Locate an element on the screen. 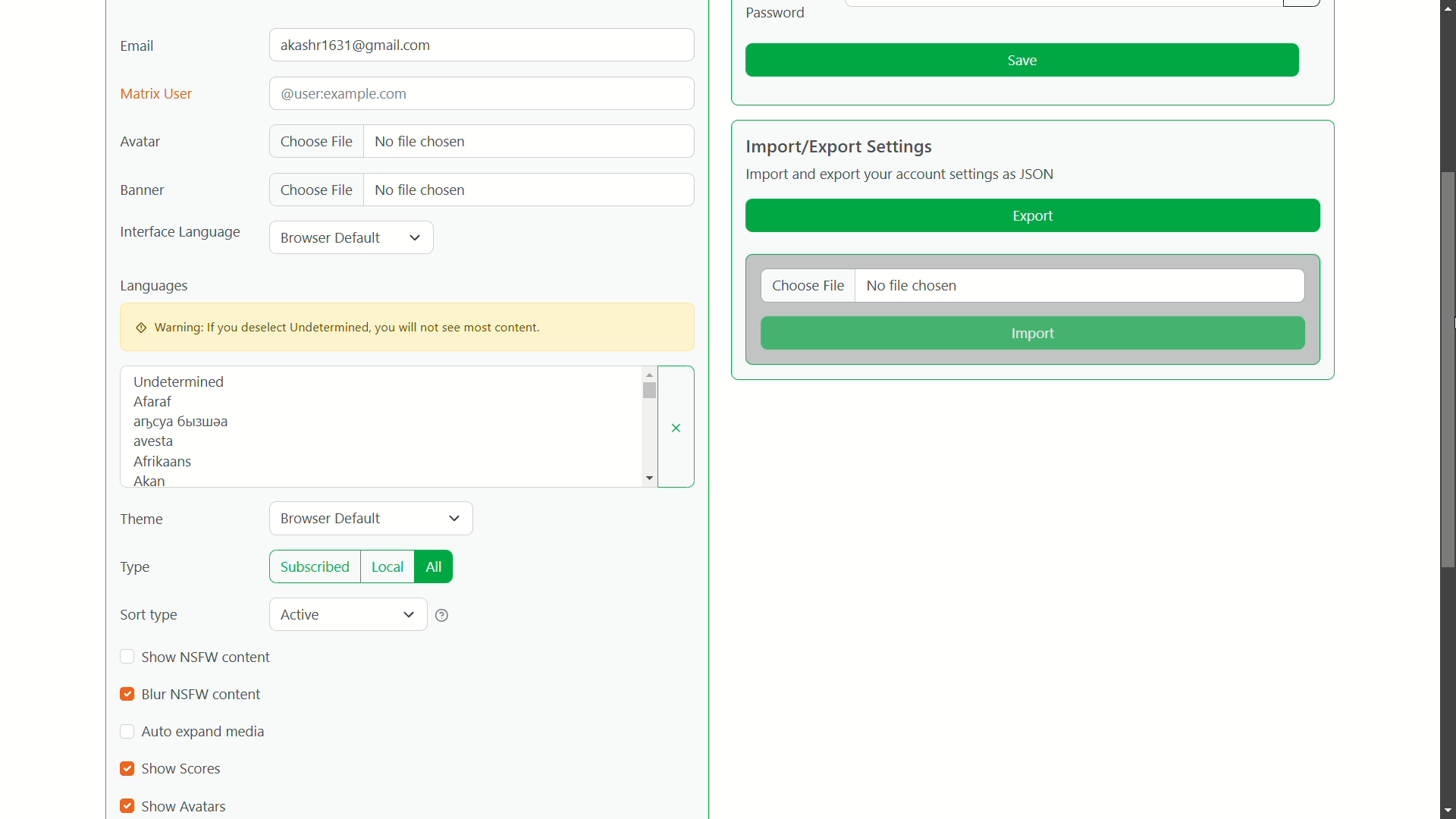 The image size is (1456, 819). theme is located at coordinates (143, 520).